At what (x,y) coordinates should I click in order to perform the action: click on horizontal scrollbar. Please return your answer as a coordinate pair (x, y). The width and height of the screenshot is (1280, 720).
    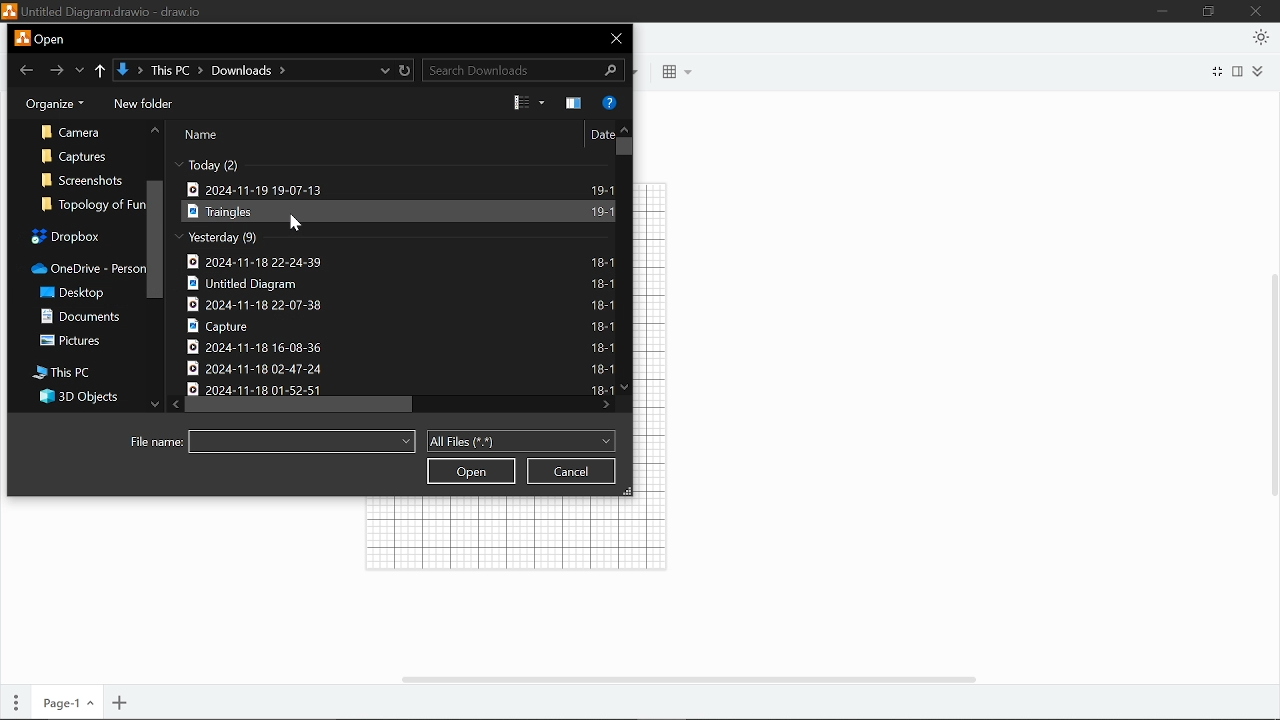
    Looking at the image, I should click on (696, 676).